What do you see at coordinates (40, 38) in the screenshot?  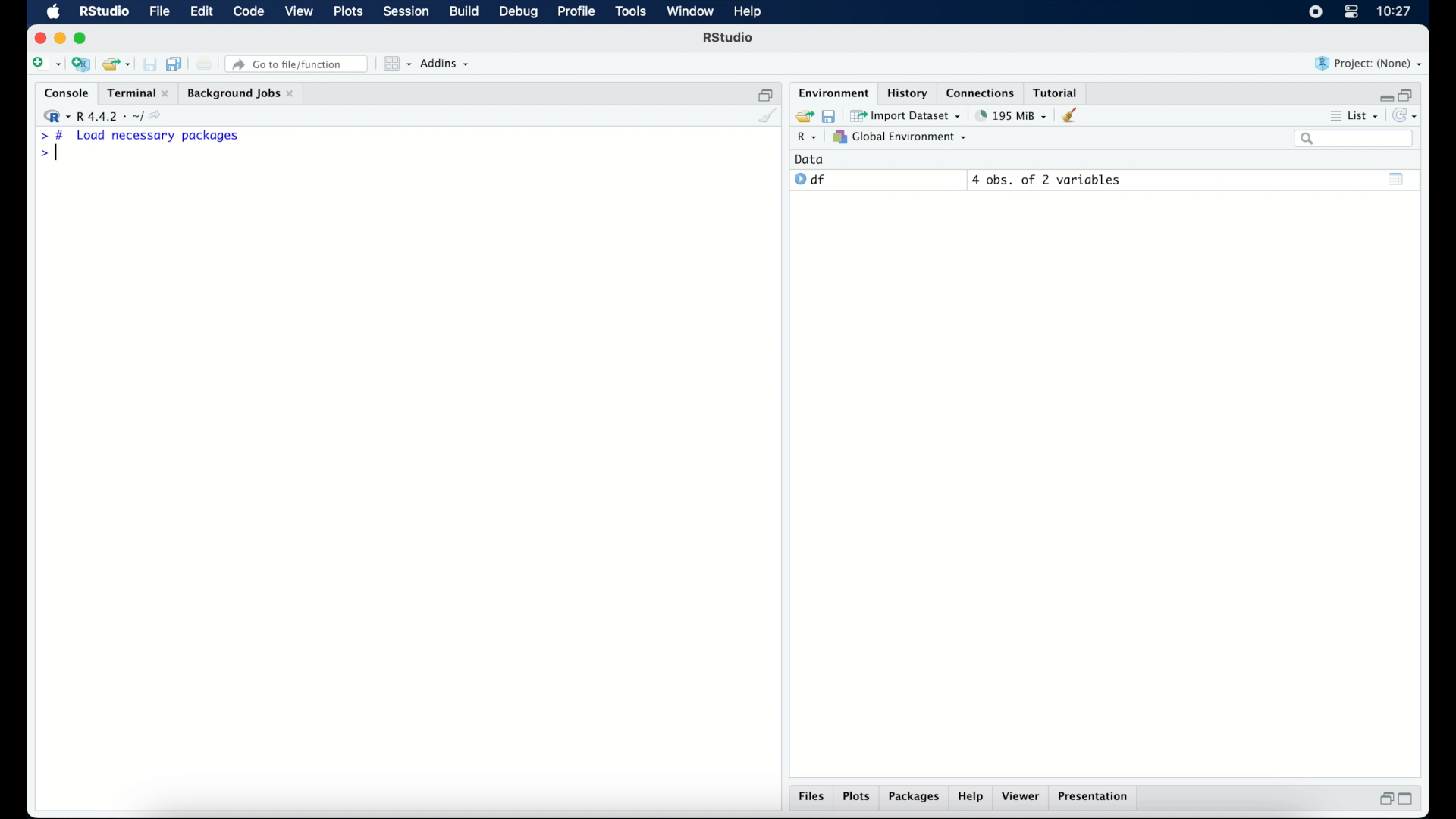 I see `close` at bounding box center [40, 38].